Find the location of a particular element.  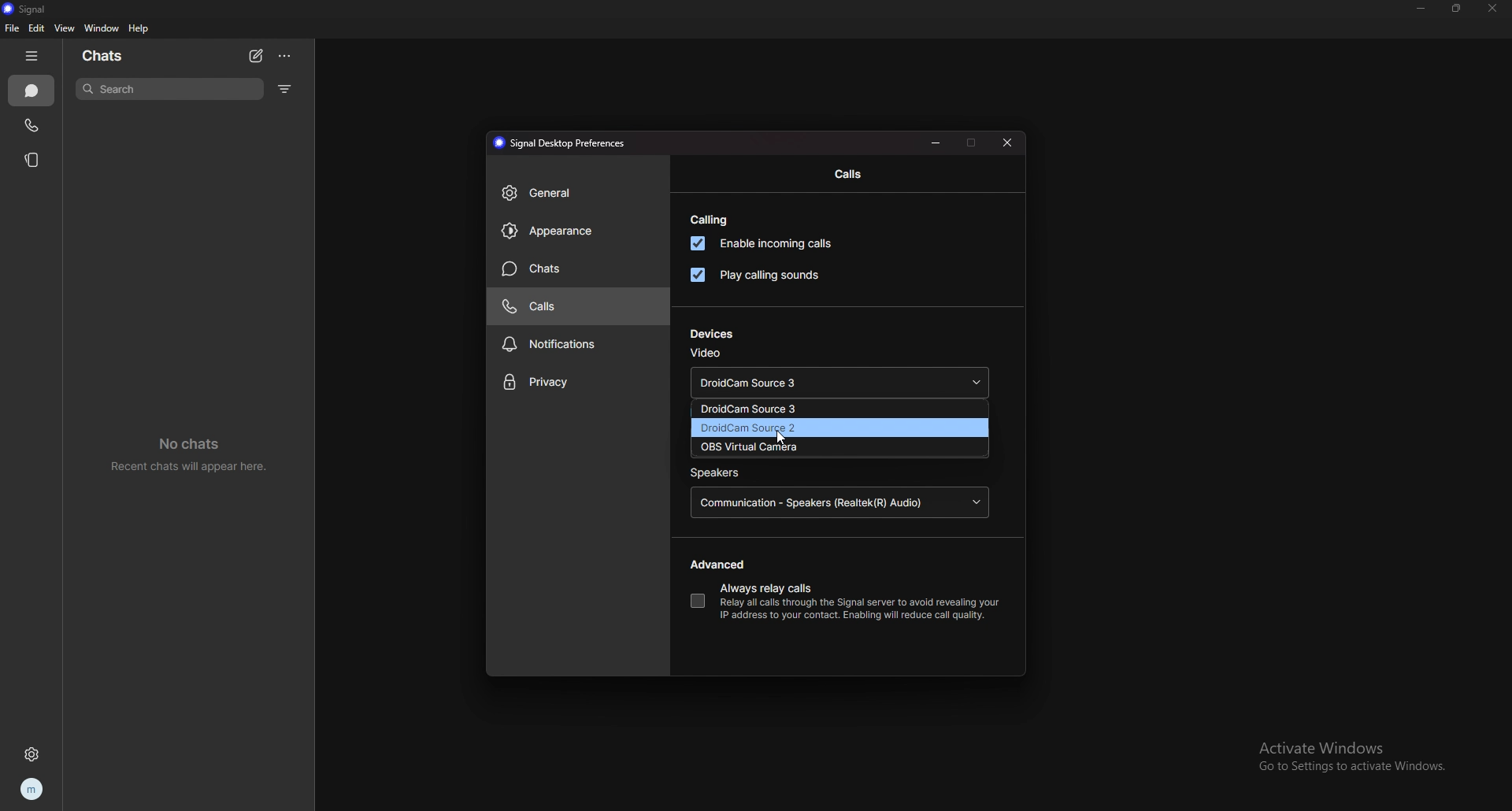

info is located at coordinates (859, 609).